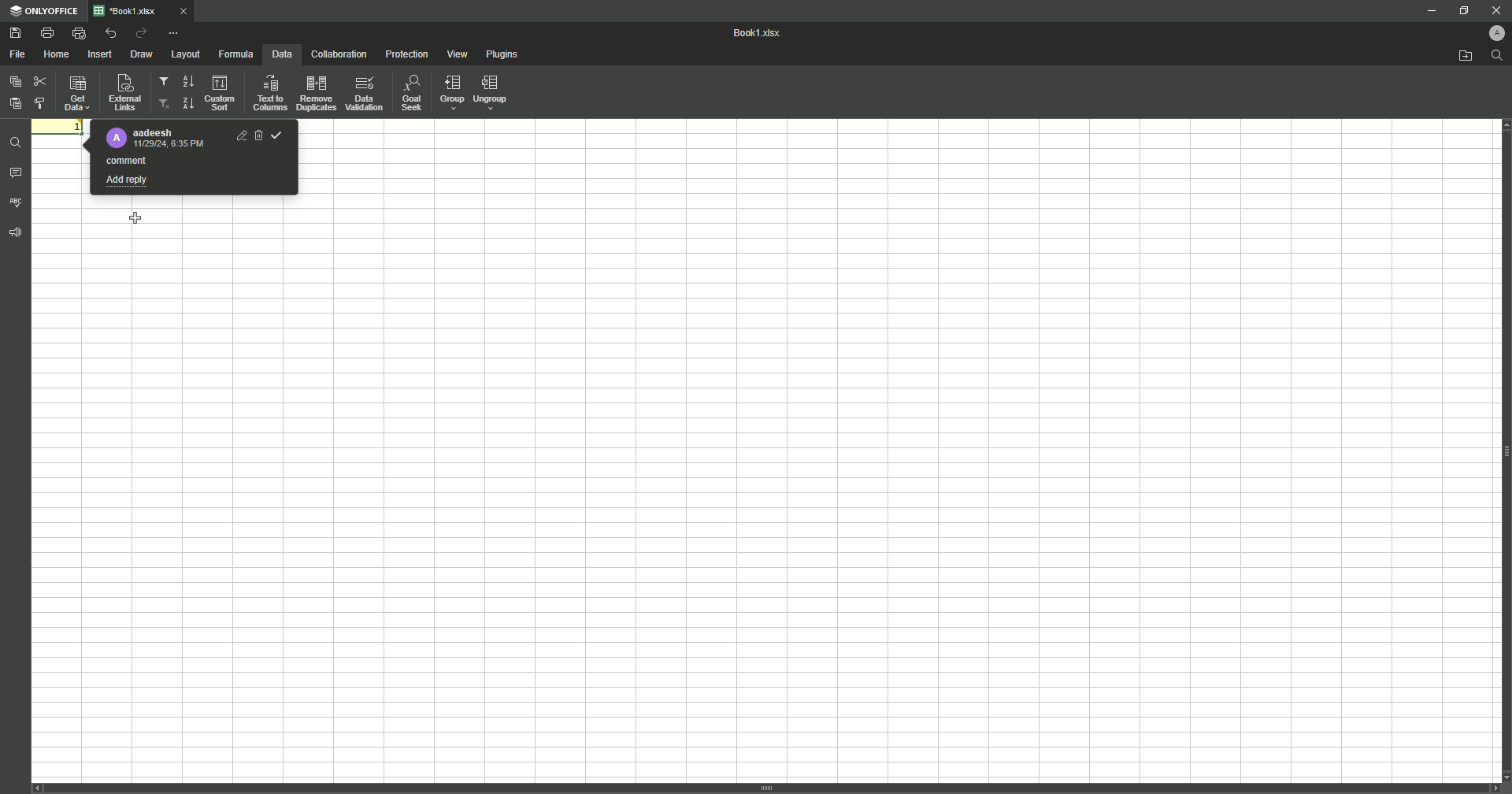 Image resolution: width=1512 pixels, height=794 pixels. I want to click on Accept, so click(277, 135).